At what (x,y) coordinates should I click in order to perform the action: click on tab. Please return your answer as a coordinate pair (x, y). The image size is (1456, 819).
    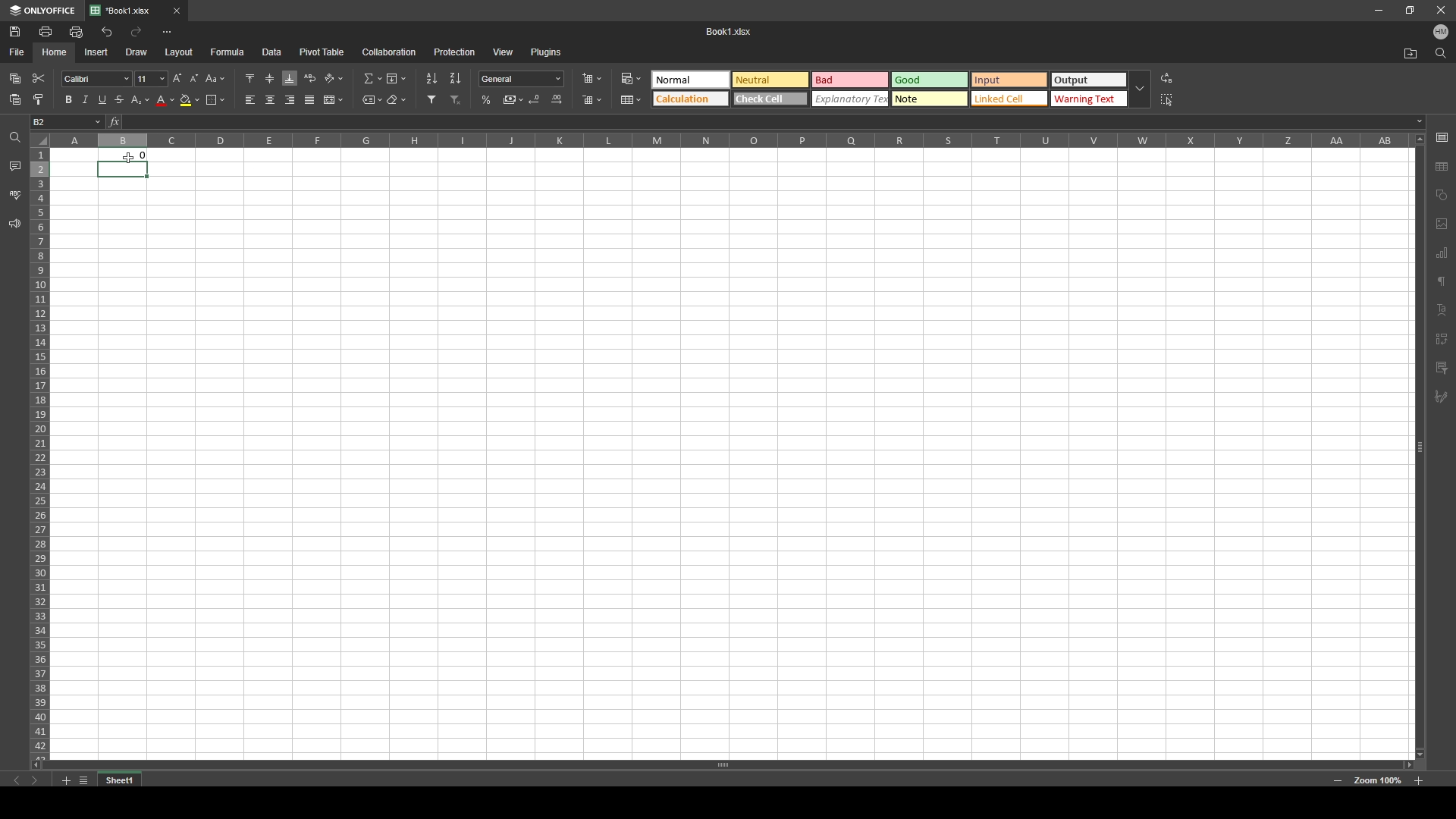
    Looking at the image, I should click on (126, 779).